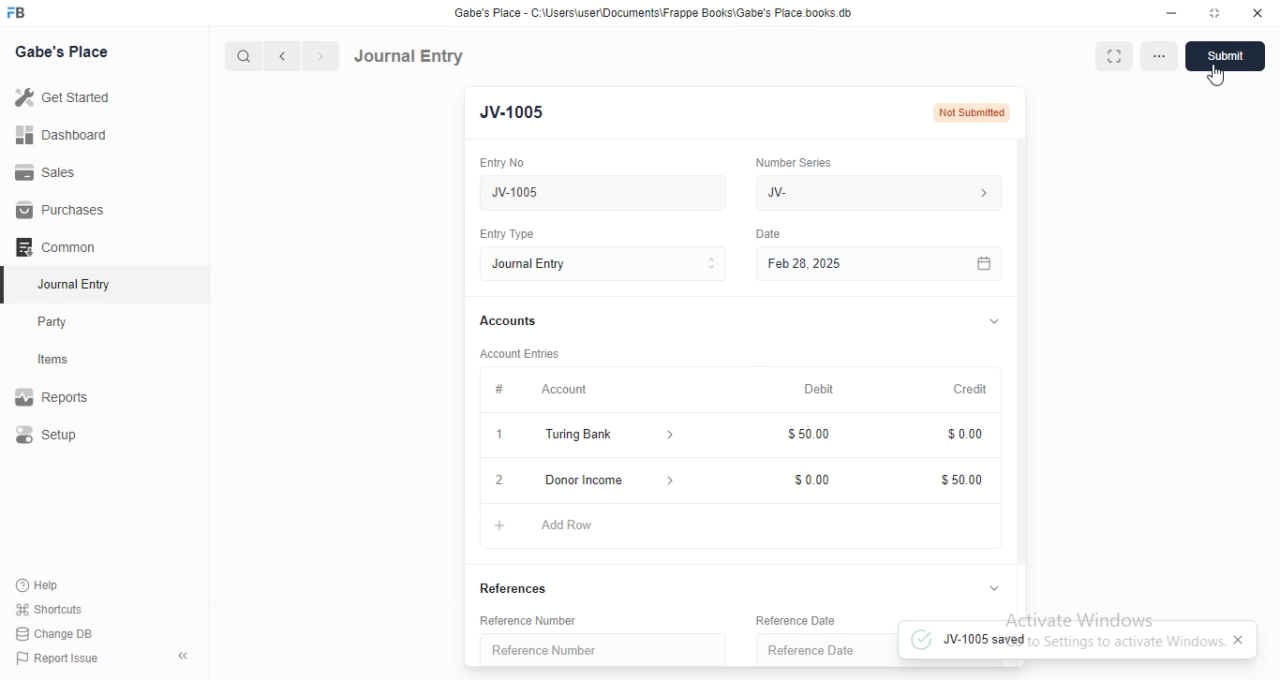 The image size is (1280, 680). What do you see at coordinates (279, 56) in the screenshot?
I see `previous` at bounding box center [279, 56].